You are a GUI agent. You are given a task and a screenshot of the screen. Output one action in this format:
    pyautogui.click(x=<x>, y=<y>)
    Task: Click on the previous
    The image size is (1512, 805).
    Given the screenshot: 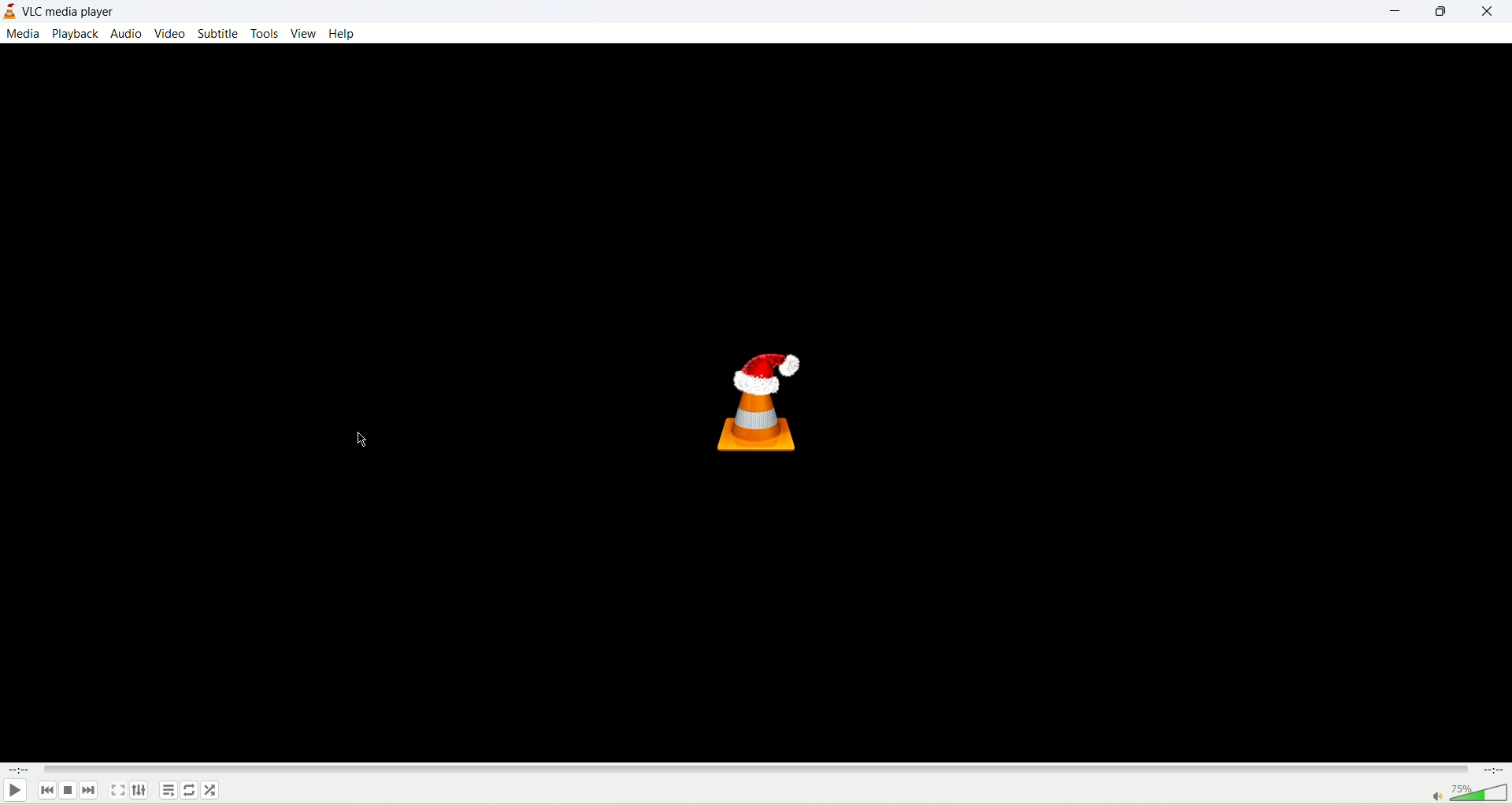 What is the action you would take?
    pyautogui.click(x=46, y=788)
    